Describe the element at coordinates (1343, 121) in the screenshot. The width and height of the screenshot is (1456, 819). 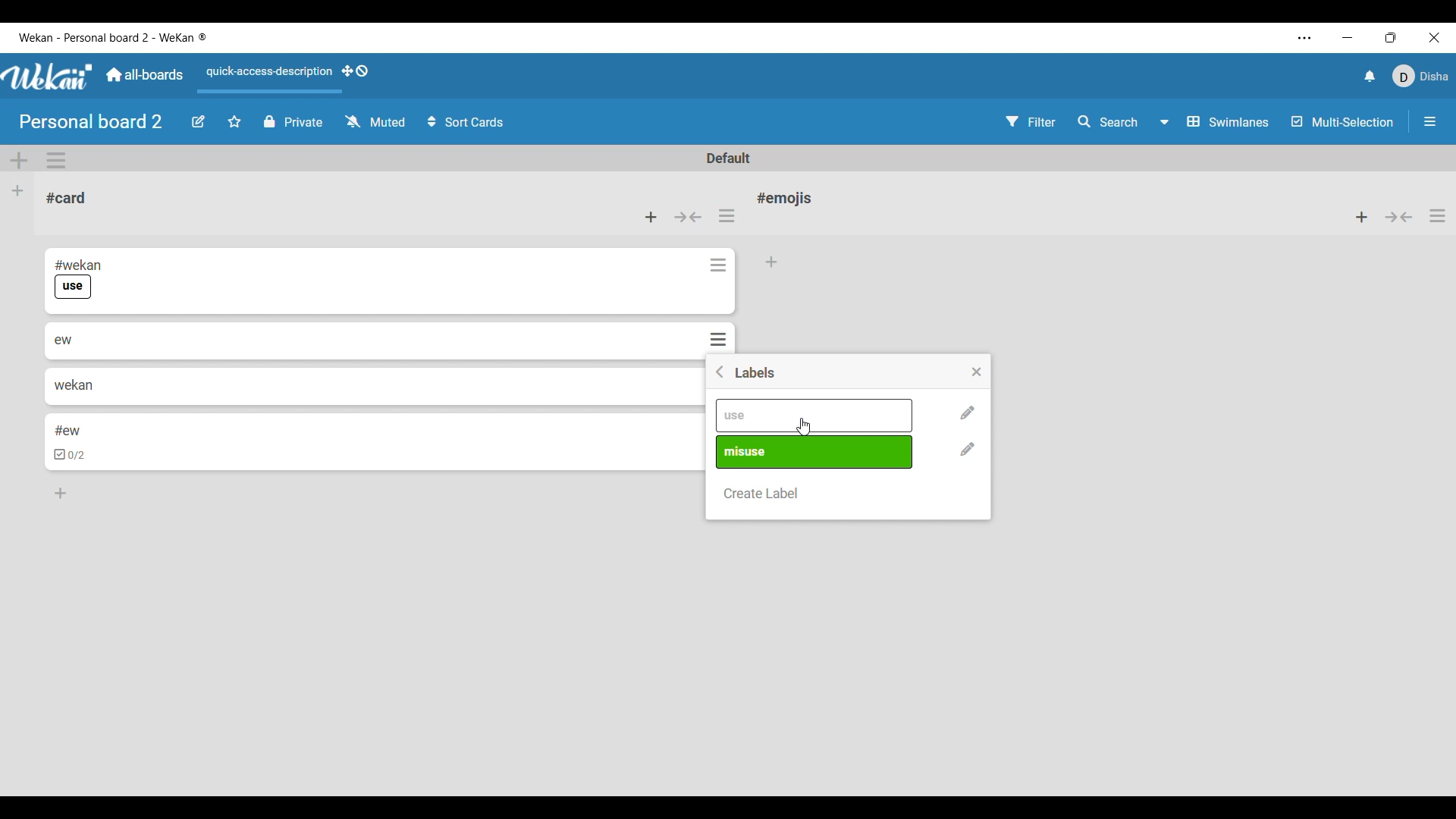
I see `Toggle for multi-selection` at that location.